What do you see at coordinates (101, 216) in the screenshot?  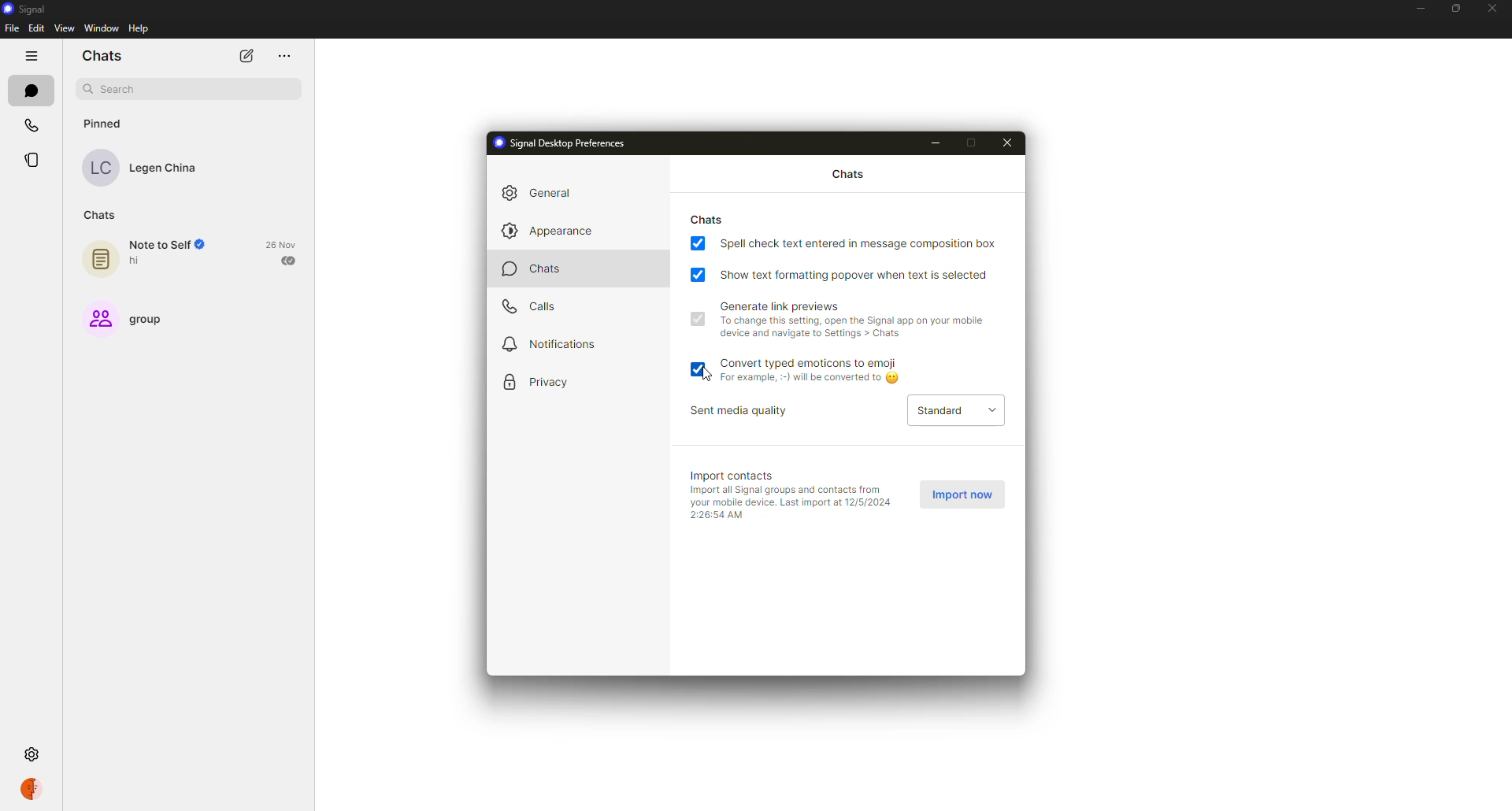 I see `chats` at bounding box center [101, 216].